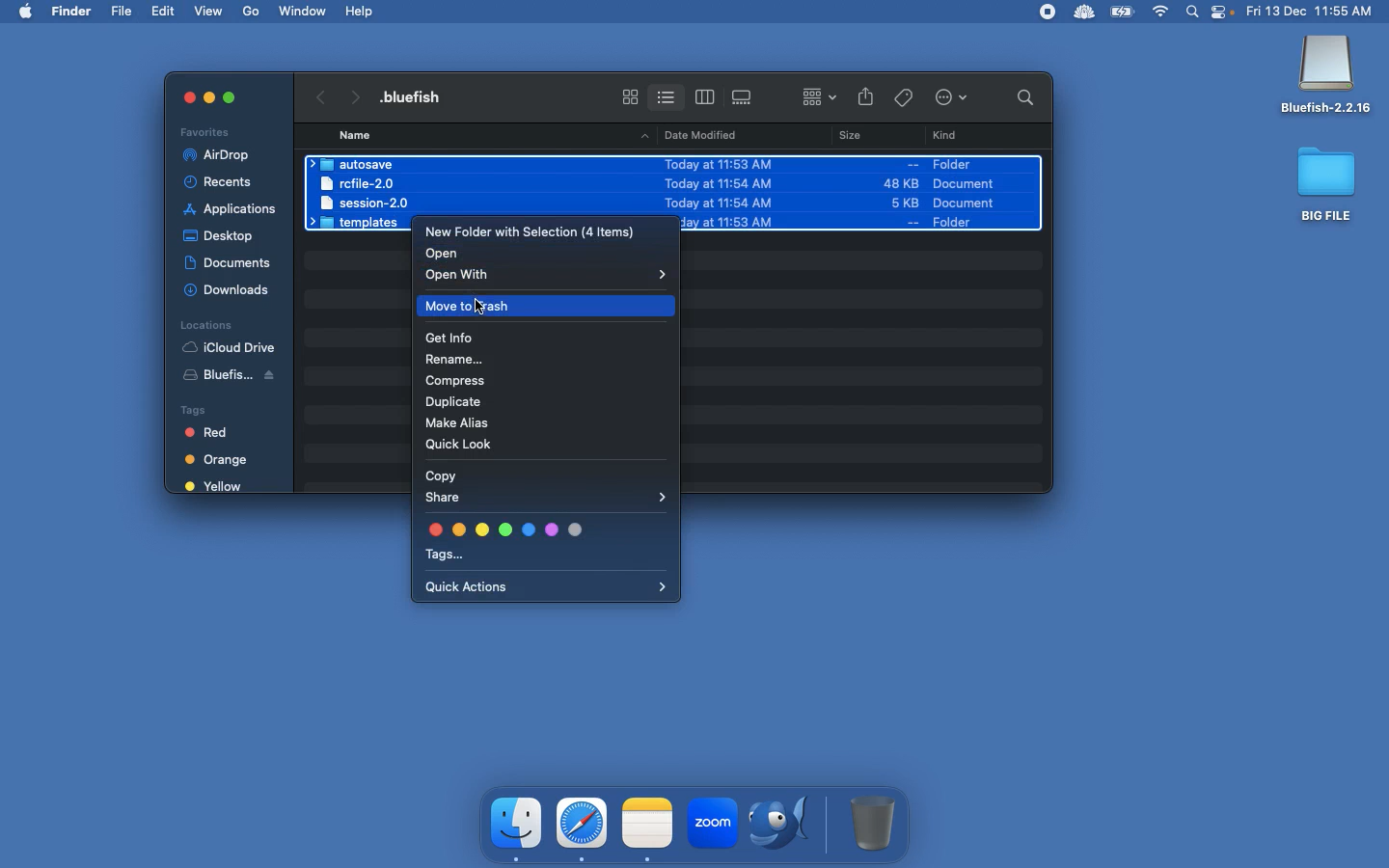 The width and height of the screenshot is (1389, 868). What do you see at coordinates (220, 155) in the screenshot?
I see `airdrop` at bounding box center [220, 155].